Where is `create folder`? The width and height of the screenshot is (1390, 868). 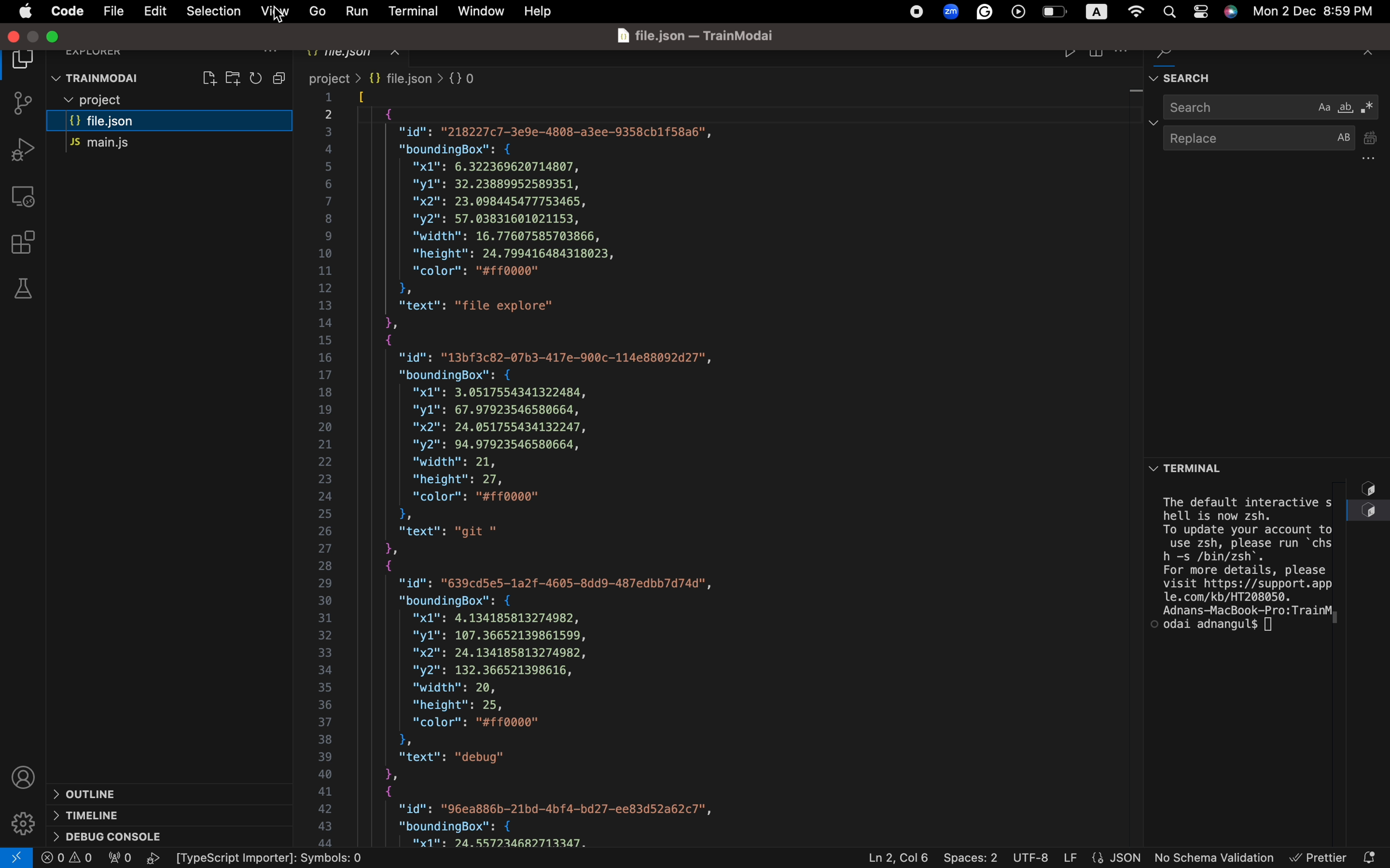 create folder is located at coordinates (233, 76).